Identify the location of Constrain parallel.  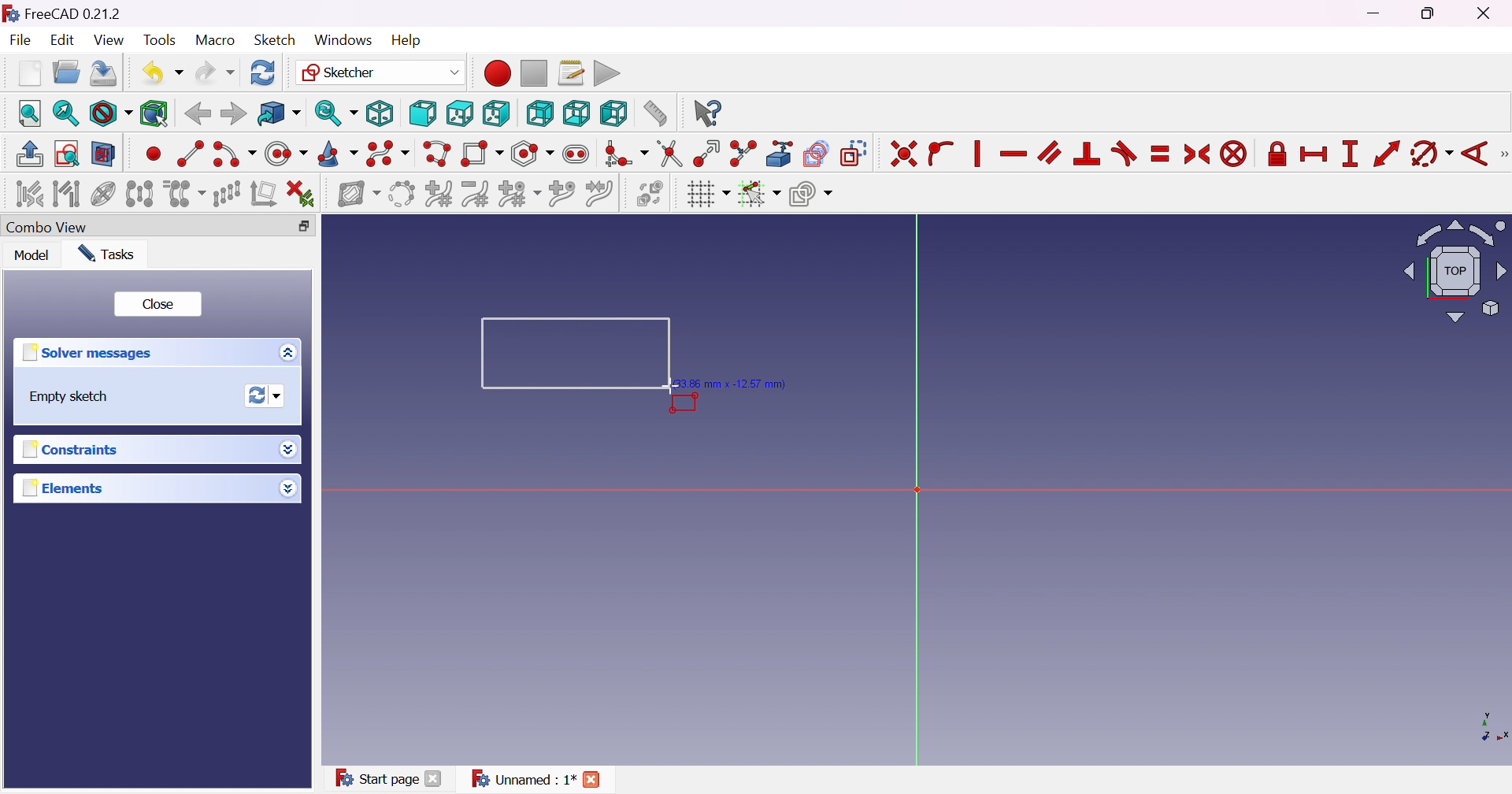
(1051, 153).